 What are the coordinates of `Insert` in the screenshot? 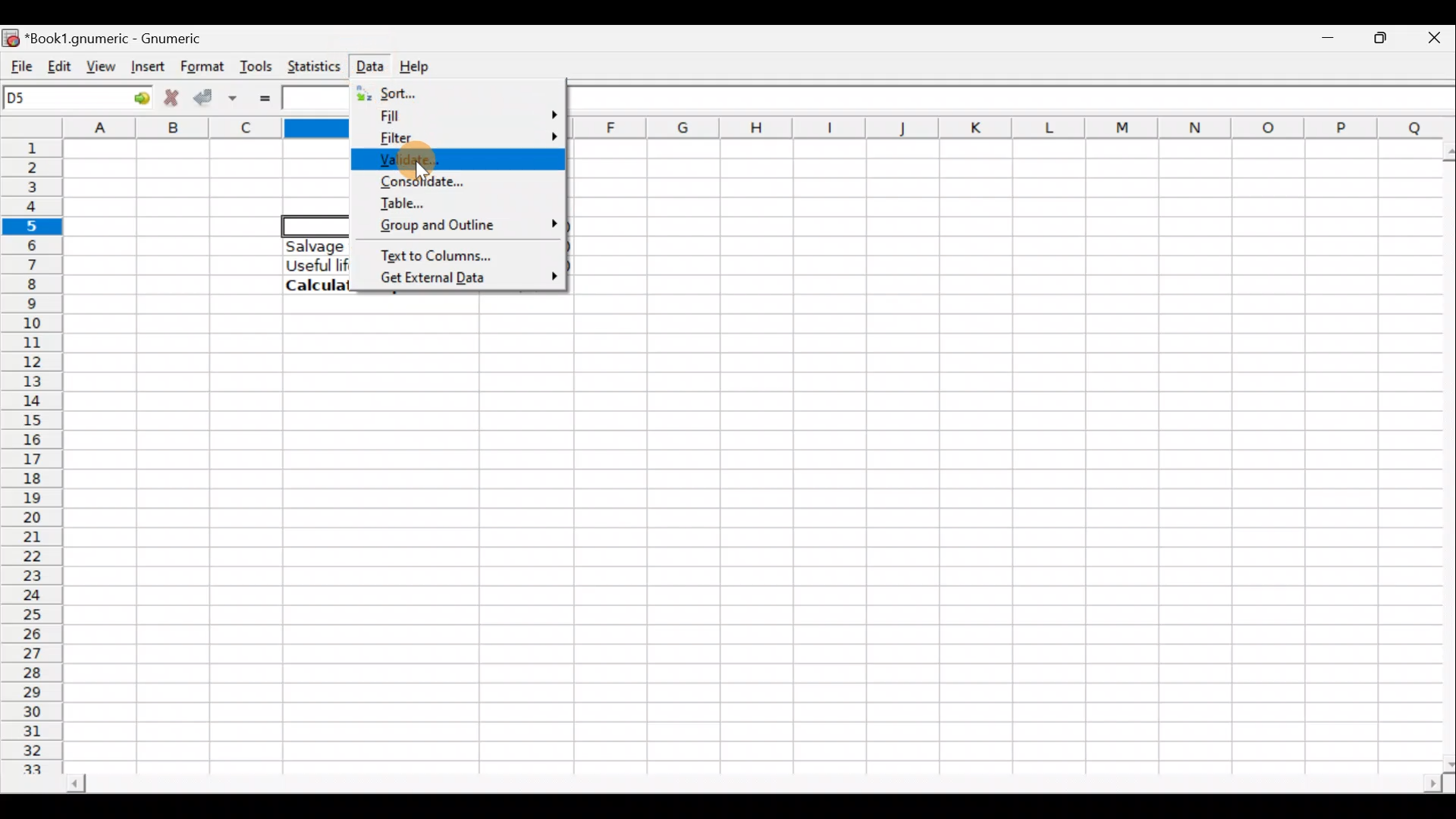 It's located at (146, 66).